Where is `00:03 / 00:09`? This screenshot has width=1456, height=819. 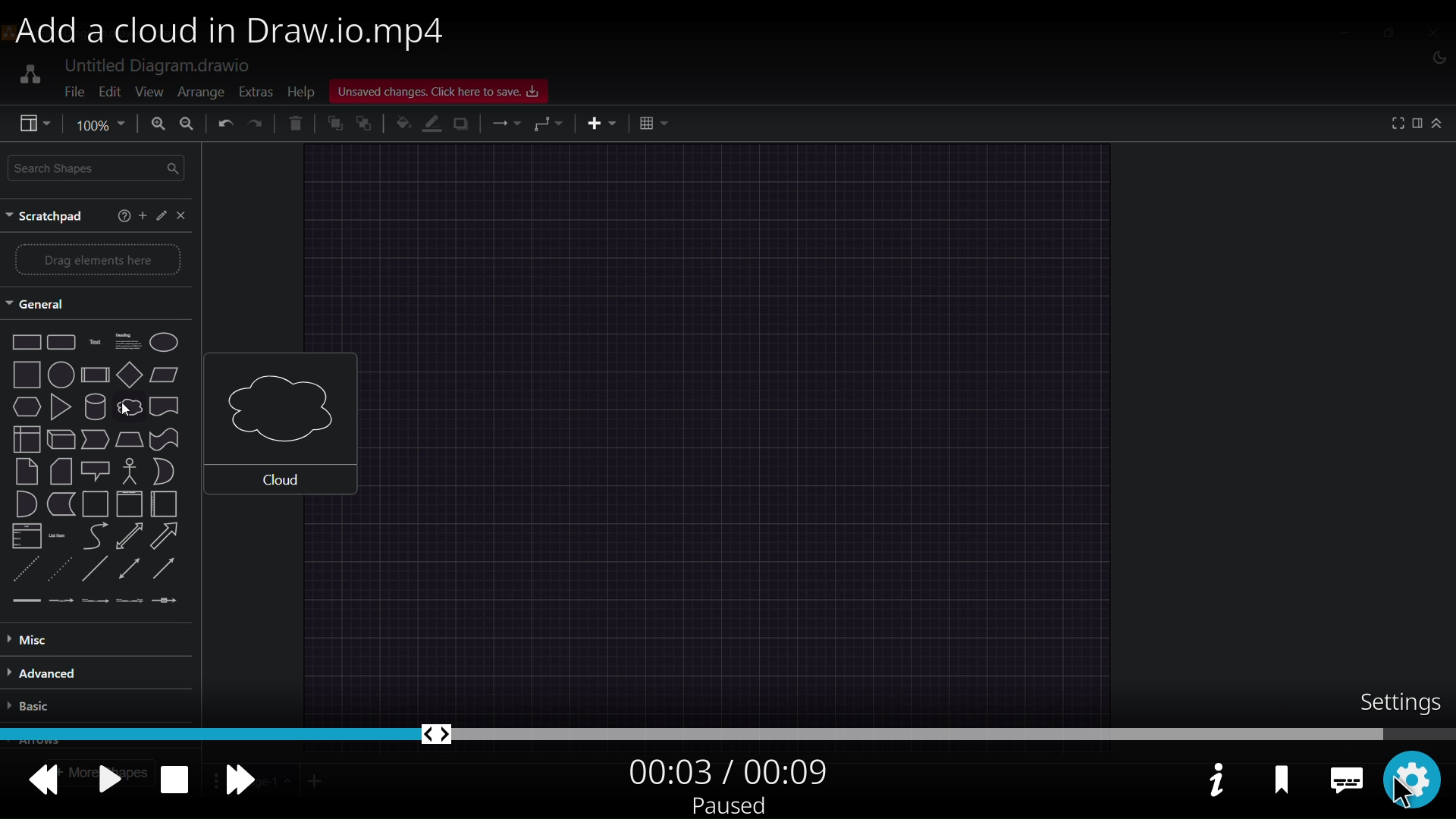 00:03 / 00:09 is located at coordinates (728, 769).